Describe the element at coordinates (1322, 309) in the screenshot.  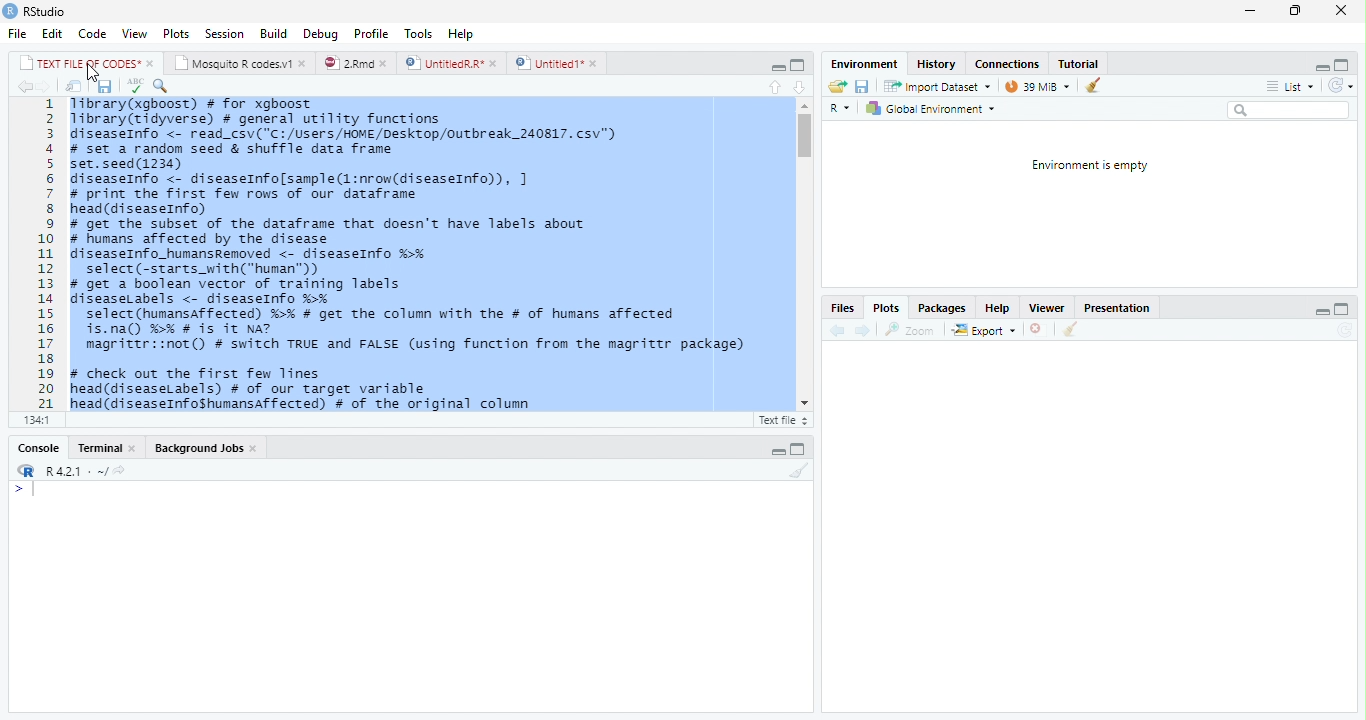
I see `Minimize` at that location.